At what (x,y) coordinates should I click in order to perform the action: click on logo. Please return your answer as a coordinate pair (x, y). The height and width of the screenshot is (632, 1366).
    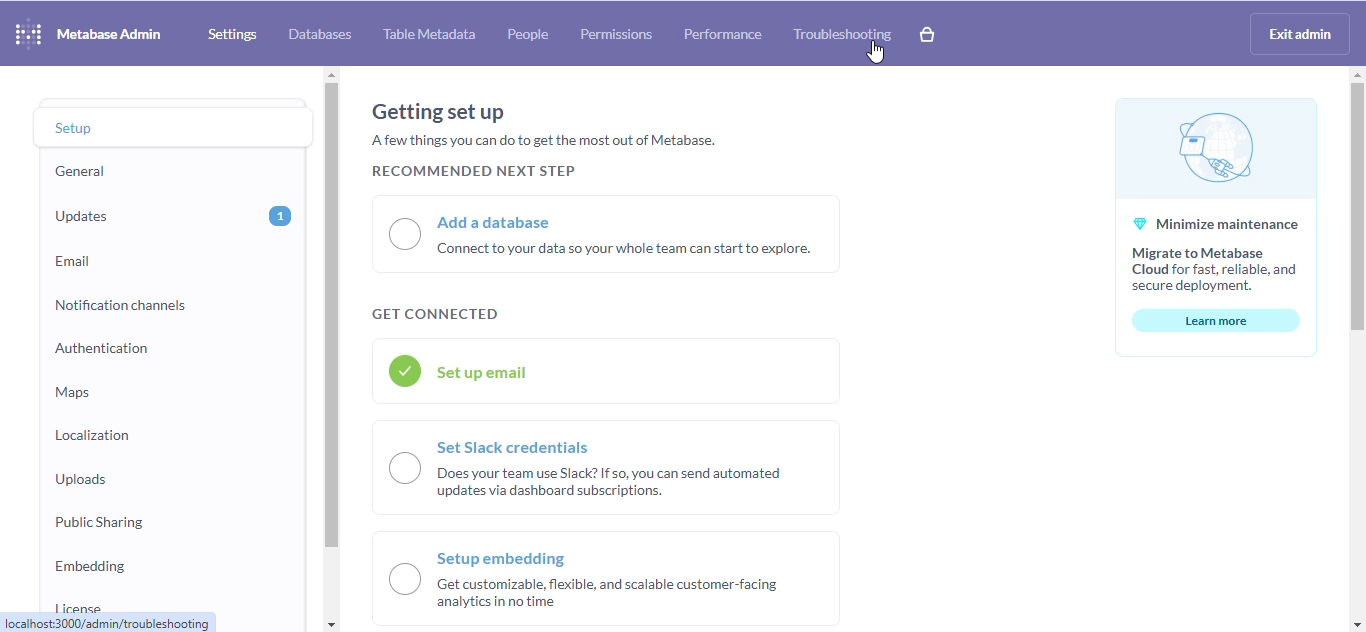
    Looking at the image, I should click on (28, 33).